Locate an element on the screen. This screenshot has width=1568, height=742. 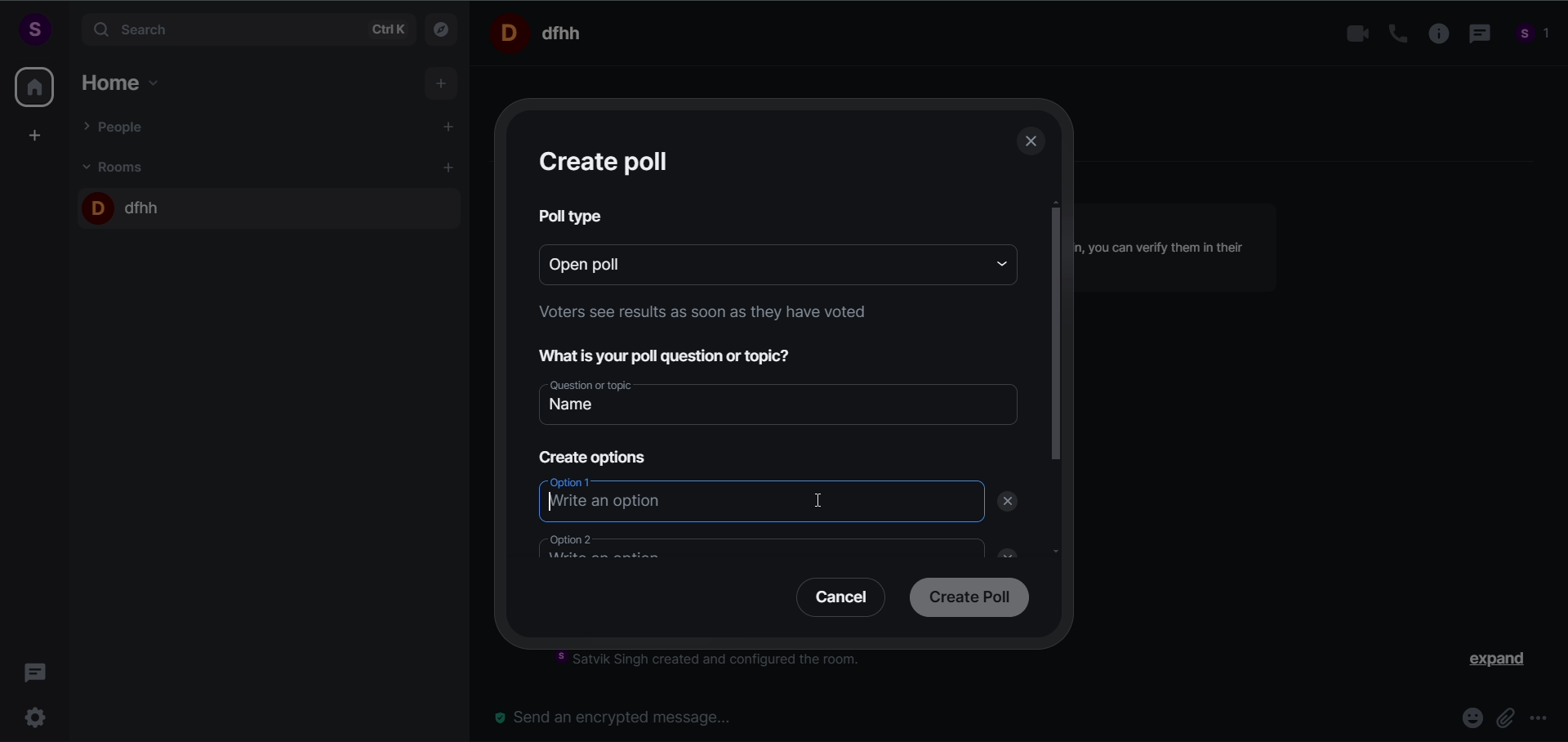
Scroll bar is located at coordinates (1057, 413).